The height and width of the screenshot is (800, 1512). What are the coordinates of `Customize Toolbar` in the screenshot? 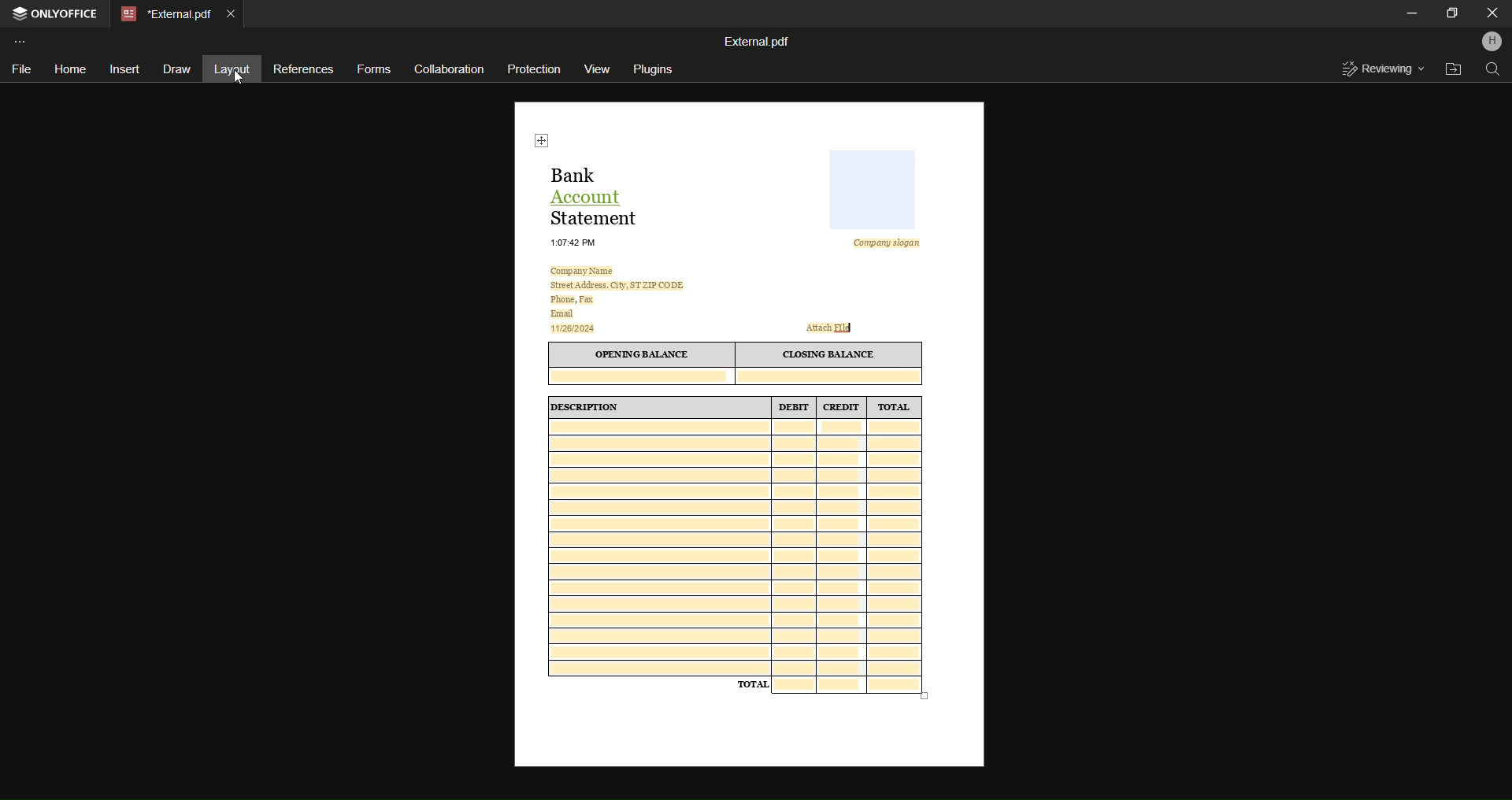 It's located at (20, 42).